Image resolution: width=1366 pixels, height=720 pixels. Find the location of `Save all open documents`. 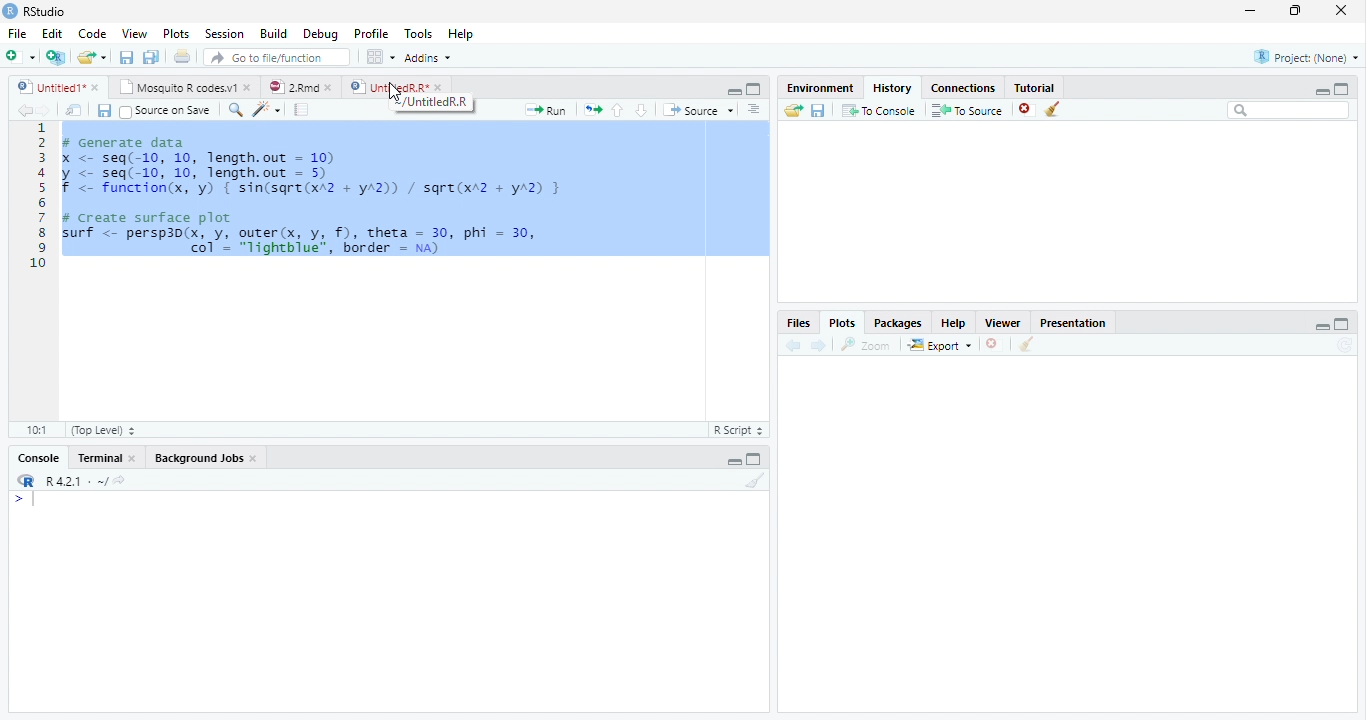

Save all open documents is located at coordinates (150, 56).